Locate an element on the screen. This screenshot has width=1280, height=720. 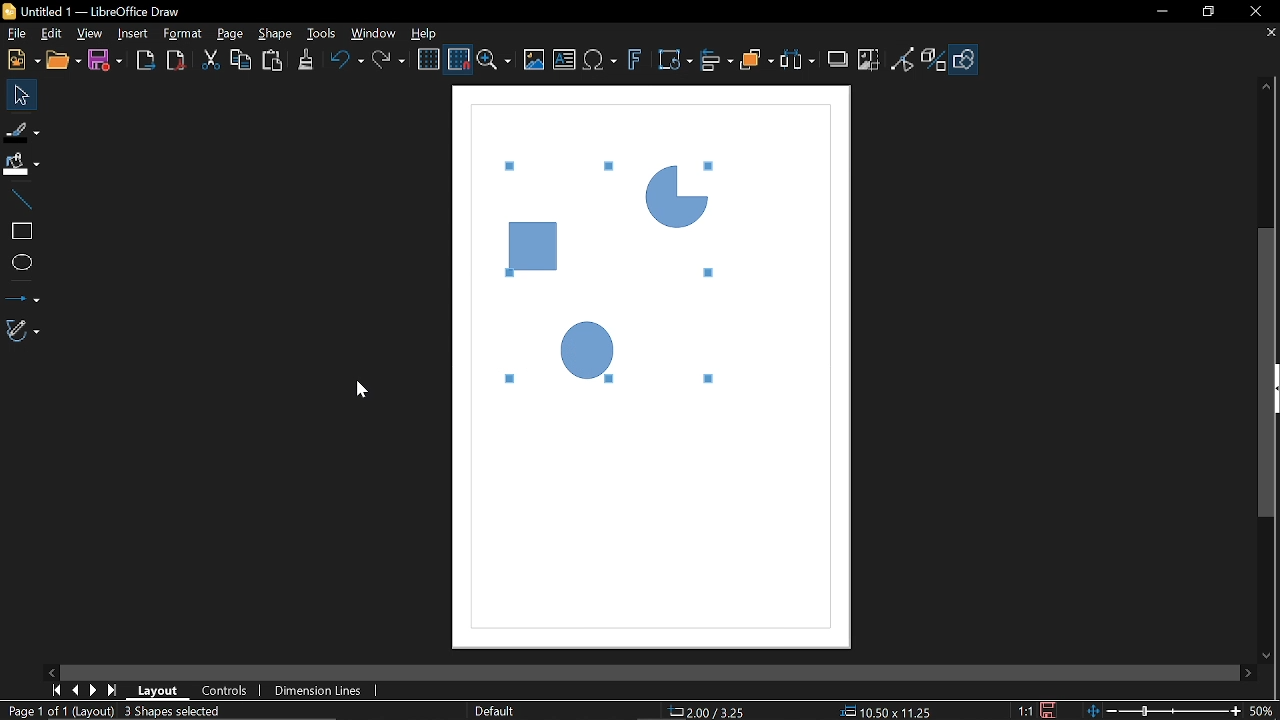
Snap to grid is located at coordinates (458, 58).